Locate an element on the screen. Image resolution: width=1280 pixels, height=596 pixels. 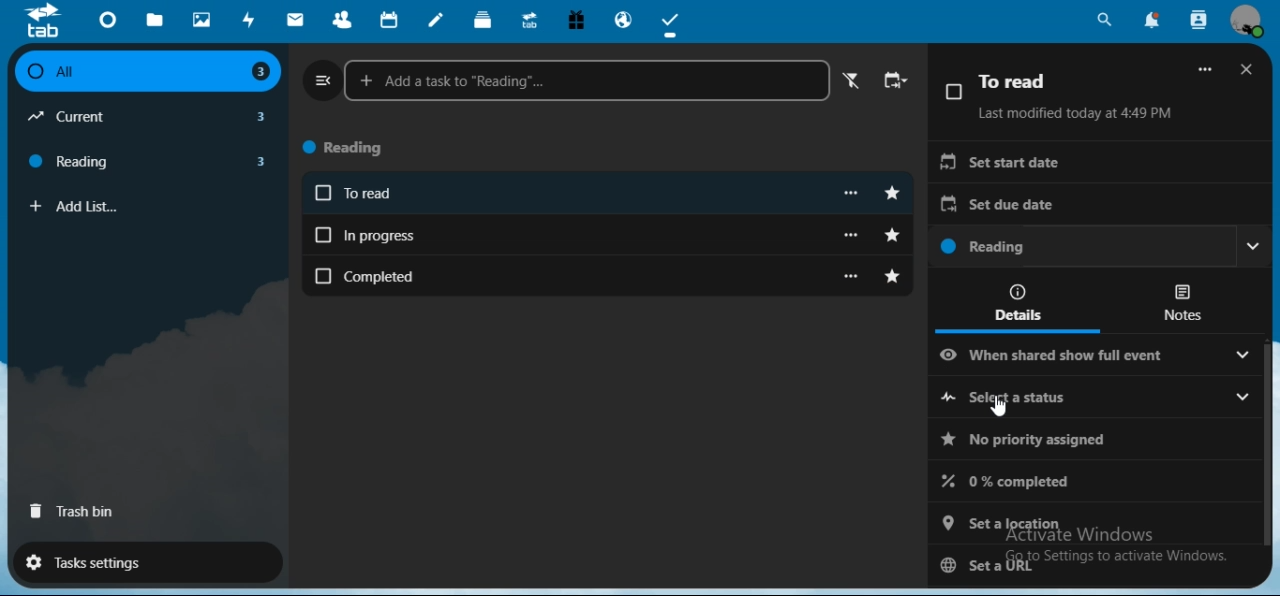
calendar is located at coordinates (390, 19).